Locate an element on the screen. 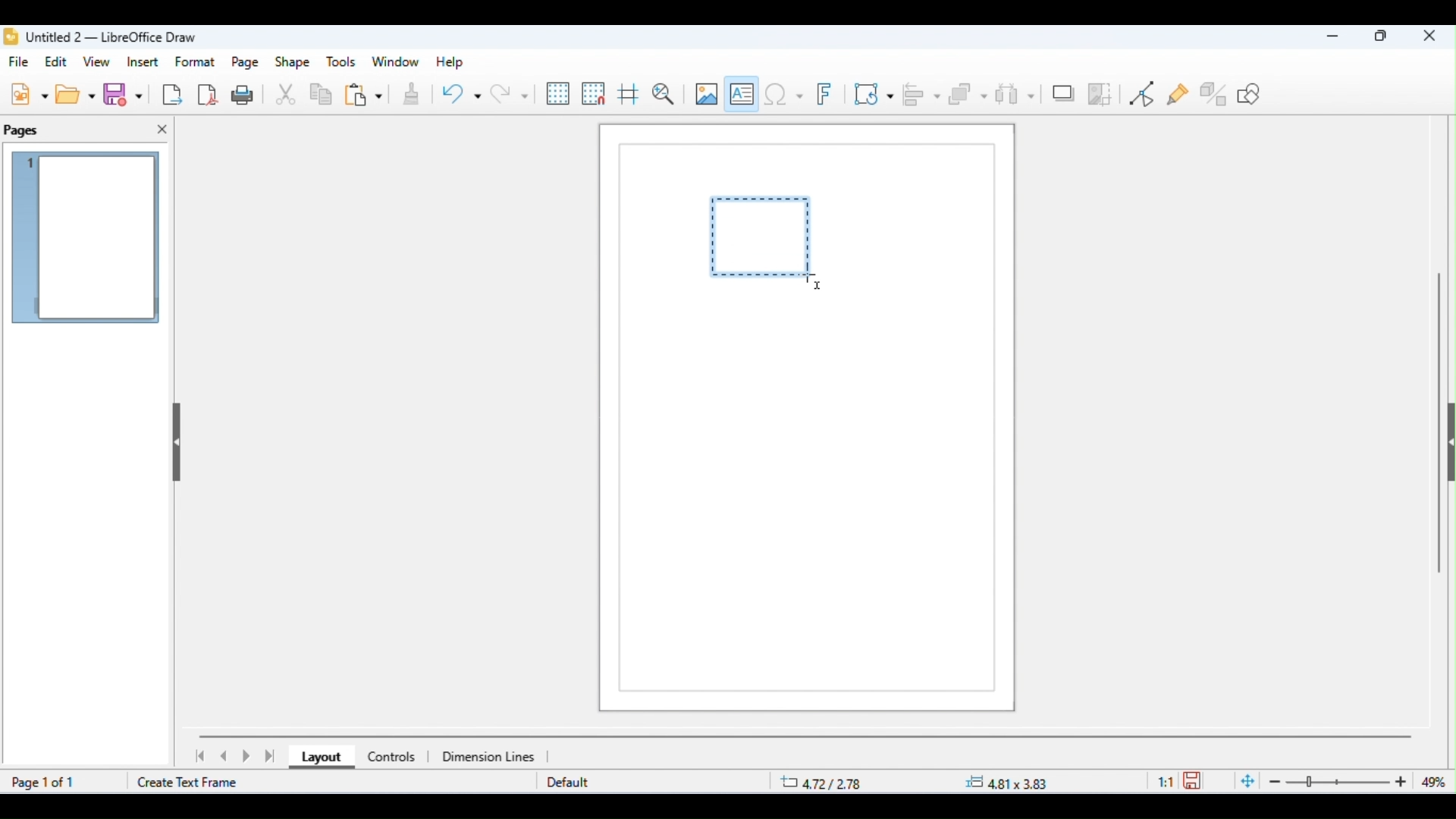 The image size is (1456, 819). page 1 of 1 is located at coordinates (45, 782).